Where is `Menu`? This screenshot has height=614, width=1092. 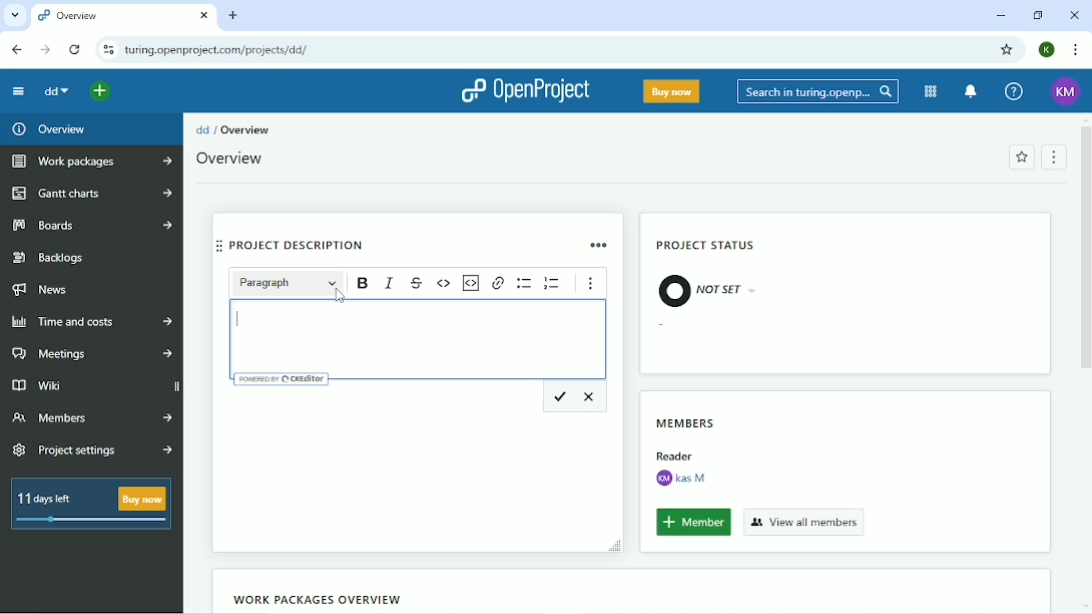
Menu is located at coordinates (1055, 156).